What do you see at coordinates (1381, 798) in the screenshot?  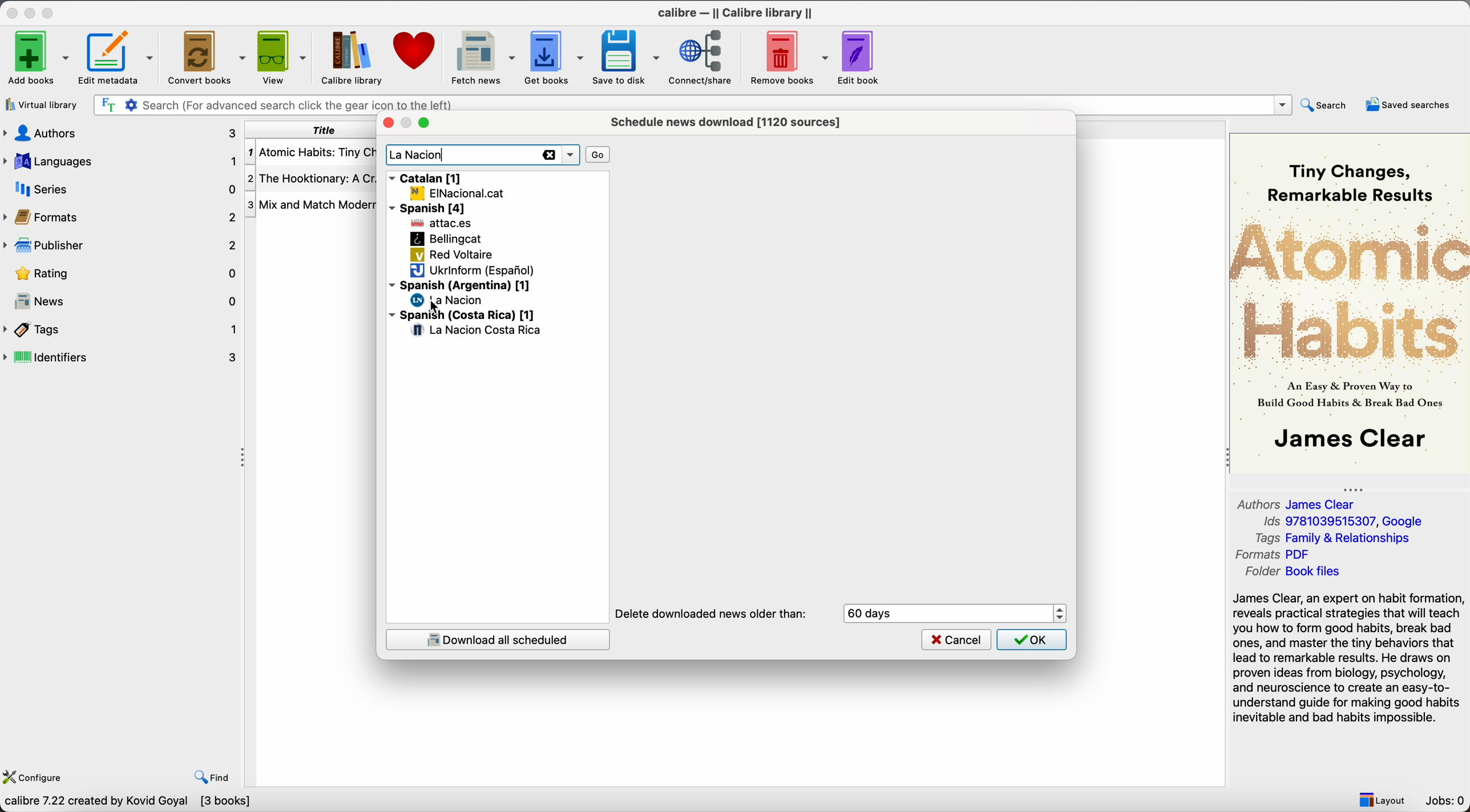 I see `layout` at bounding box center [1381, 798].